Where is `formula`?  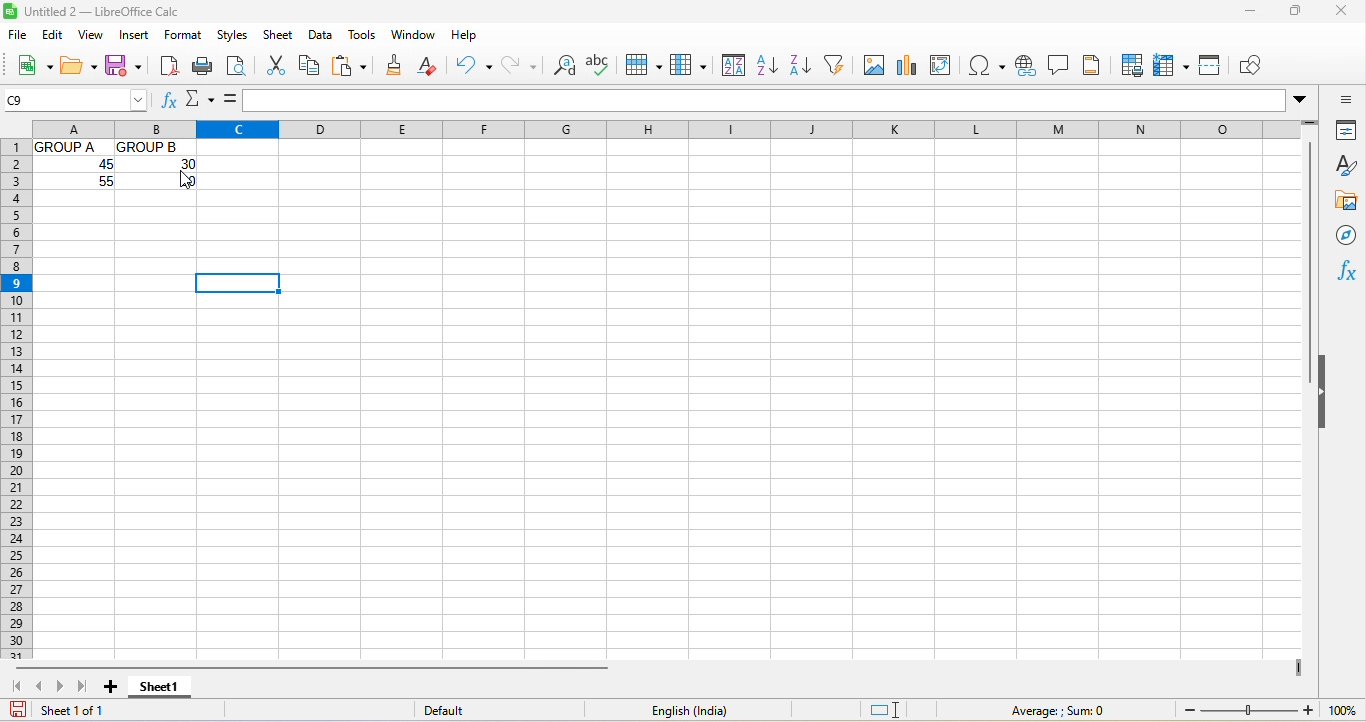 formula is located at coordinates (229, 99).